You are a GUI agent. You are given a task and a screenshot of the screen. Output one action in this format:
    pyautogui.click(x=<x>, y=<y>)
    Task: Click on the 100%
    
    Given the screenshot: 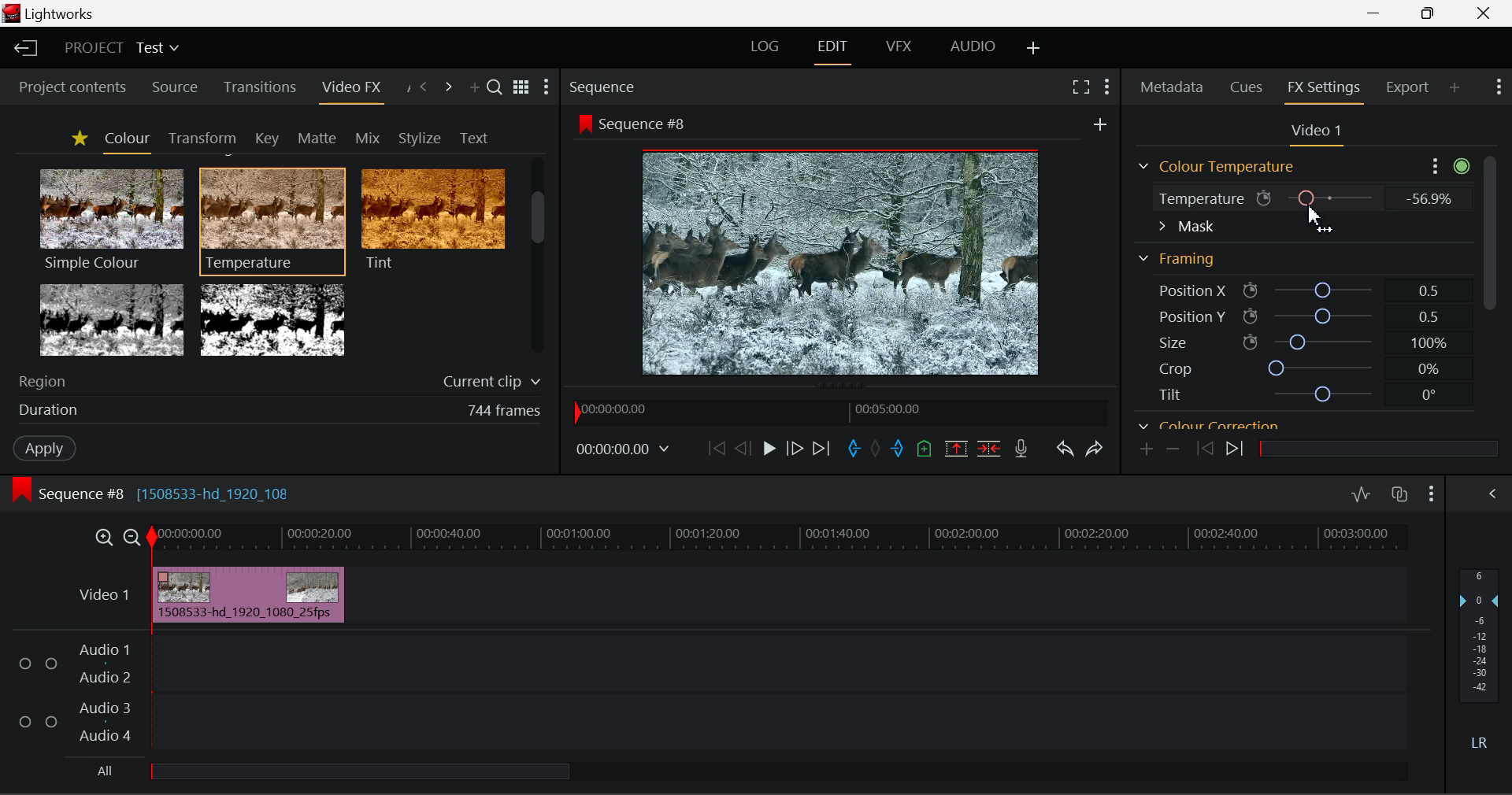 What is the action you would take?
    pyautogui.click(x=1429, y=345)
    